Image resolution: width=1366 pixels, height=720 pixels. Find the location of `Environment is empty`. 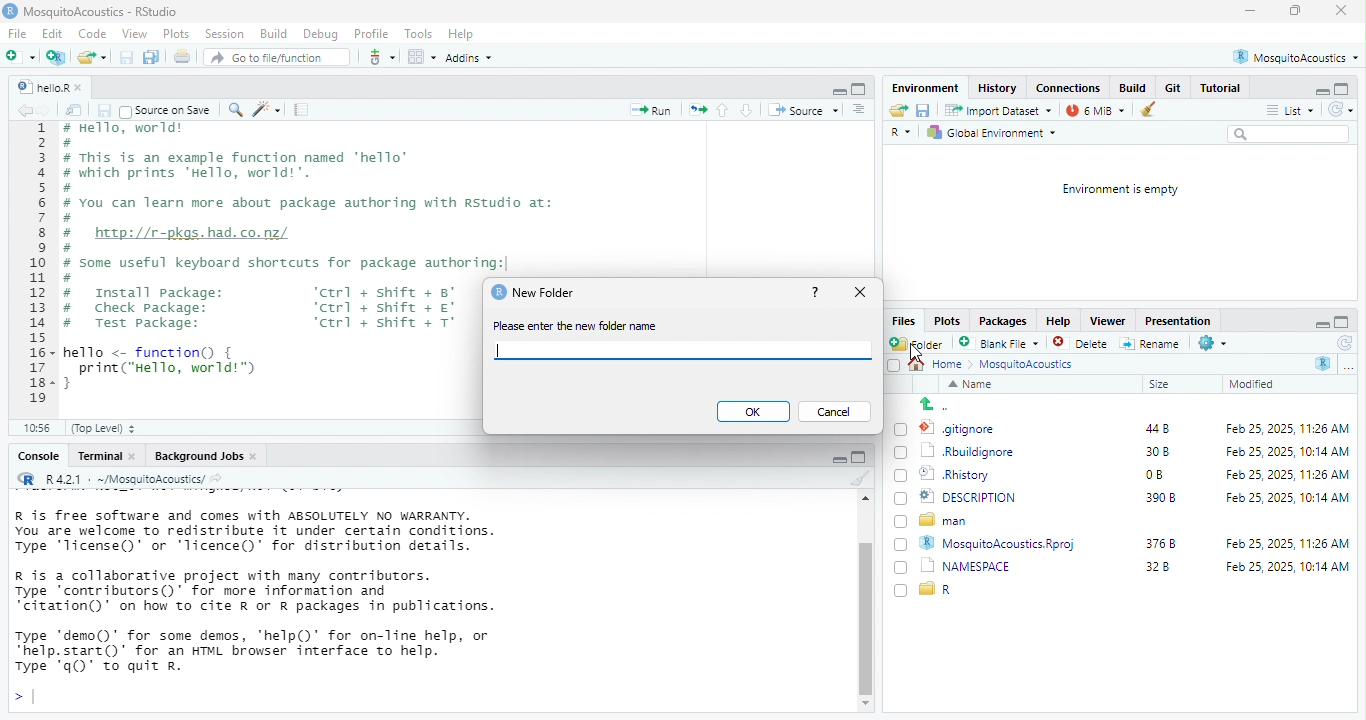

Environment is empty is located at coordinates (1113, 190).